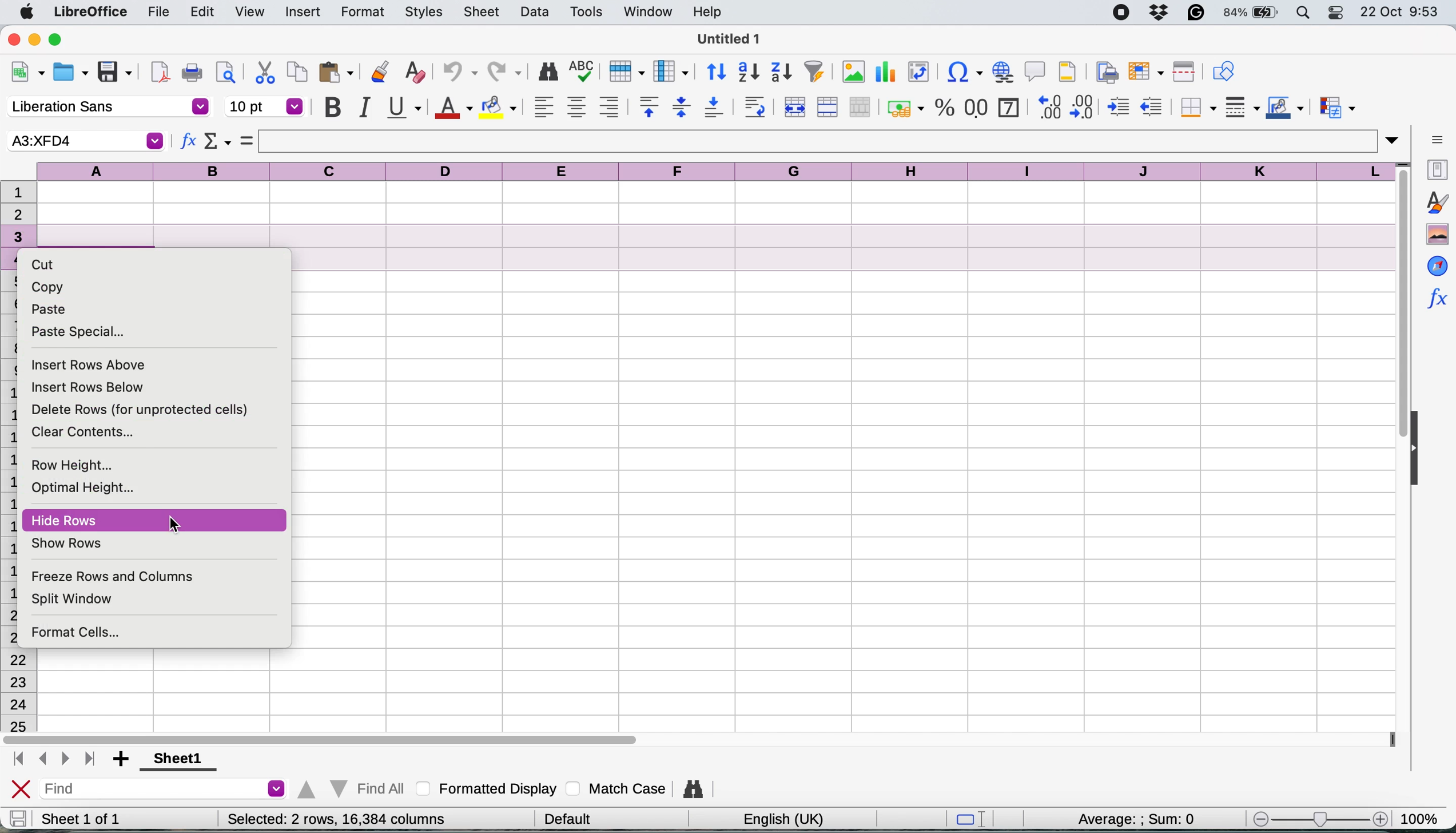 The width and height of the screenshot is (1456, 833). Describe the element at coordinates (695, 789) in the screenshot. I see `find and replace` at that location.